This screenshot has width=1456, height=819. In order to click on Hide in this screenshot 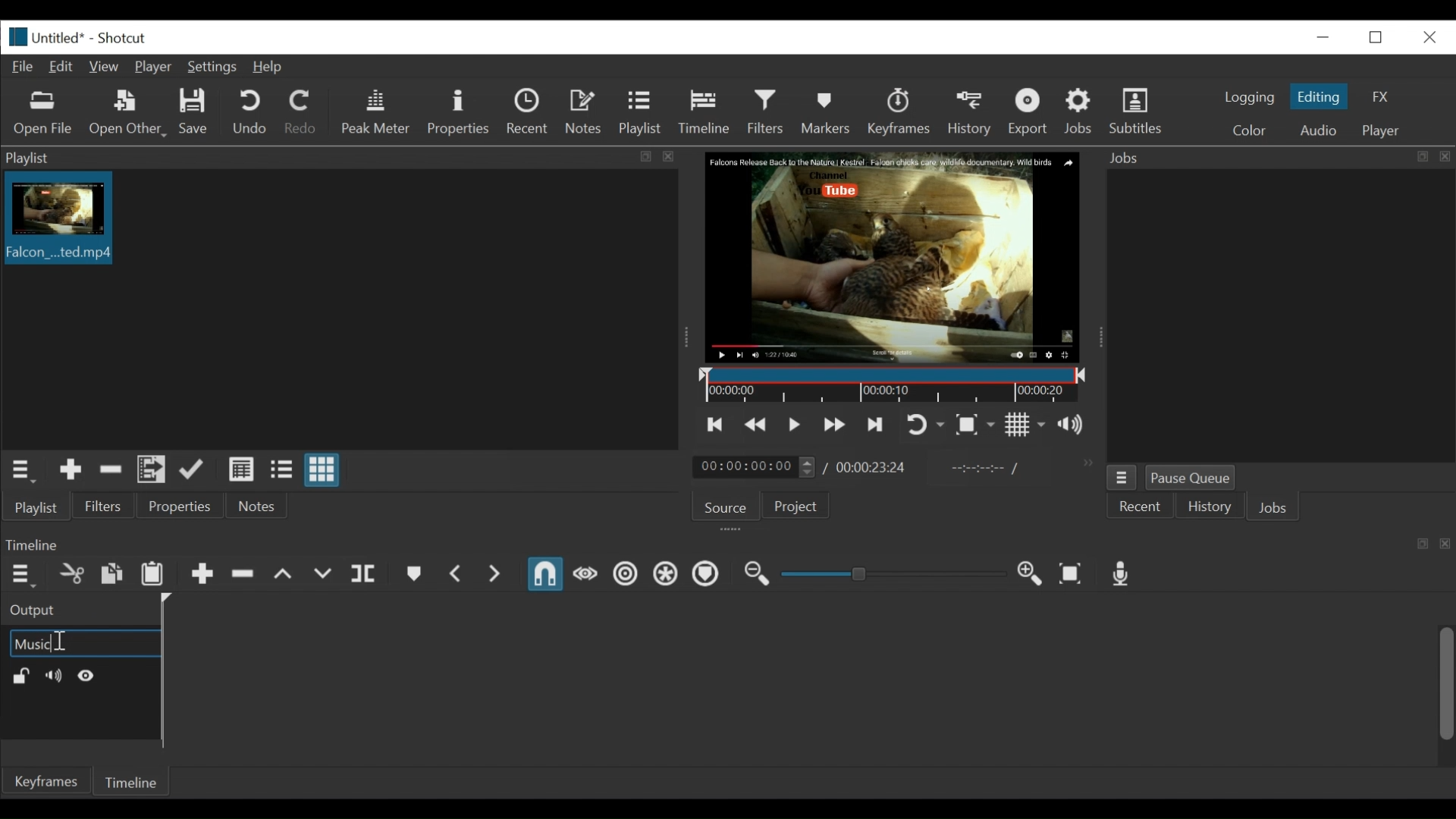, I will do `click(88, 675)`.